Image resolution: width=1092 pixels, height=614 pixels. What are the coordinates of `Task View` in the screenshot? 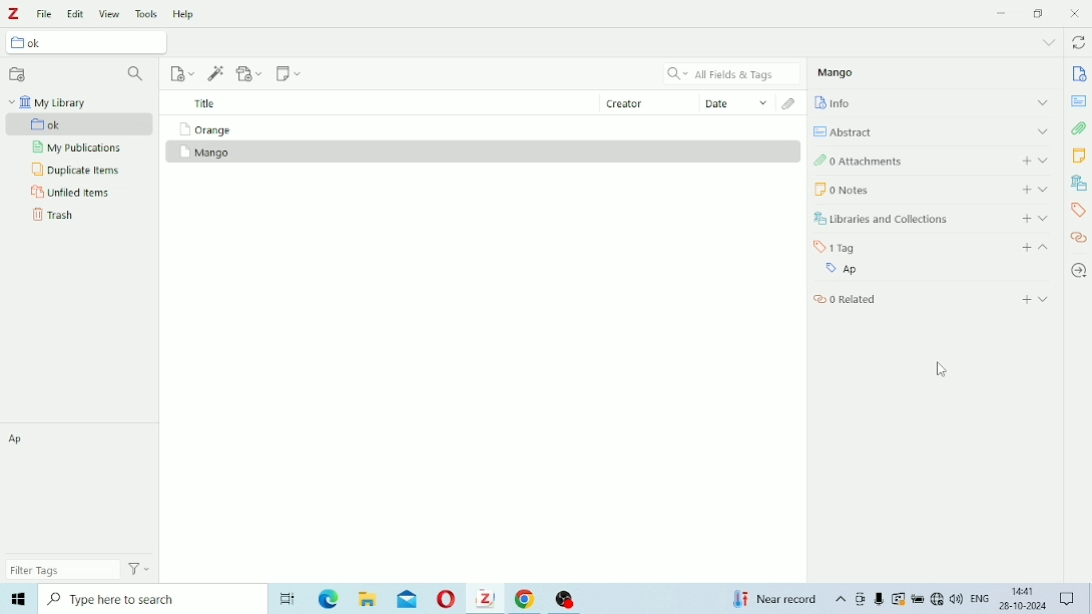 It's located at (290, 597).